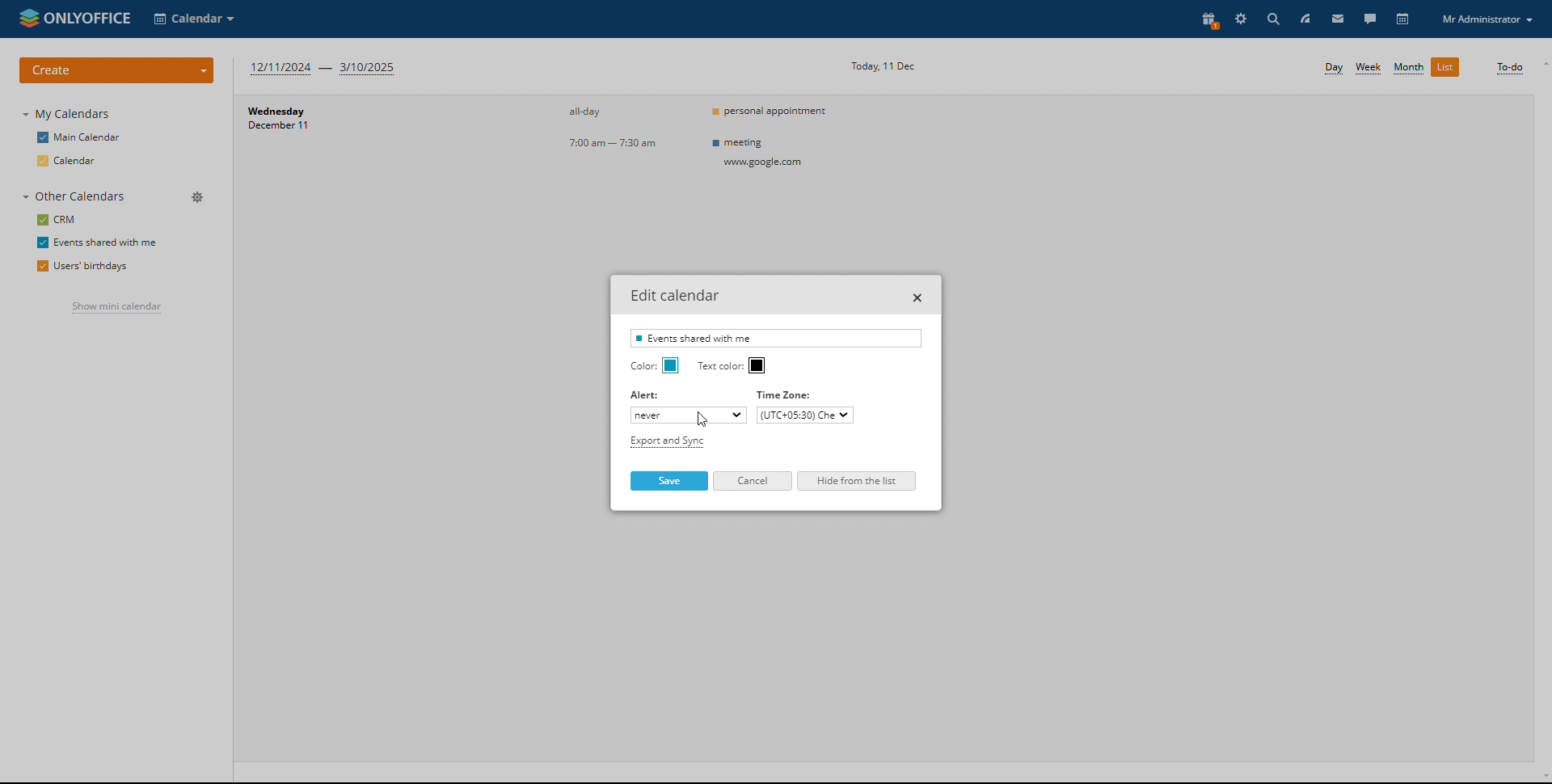  What do you see at coordinates (1404, 19) in the screenshot?
I see `calendar` at bounding box center [1404, 19].